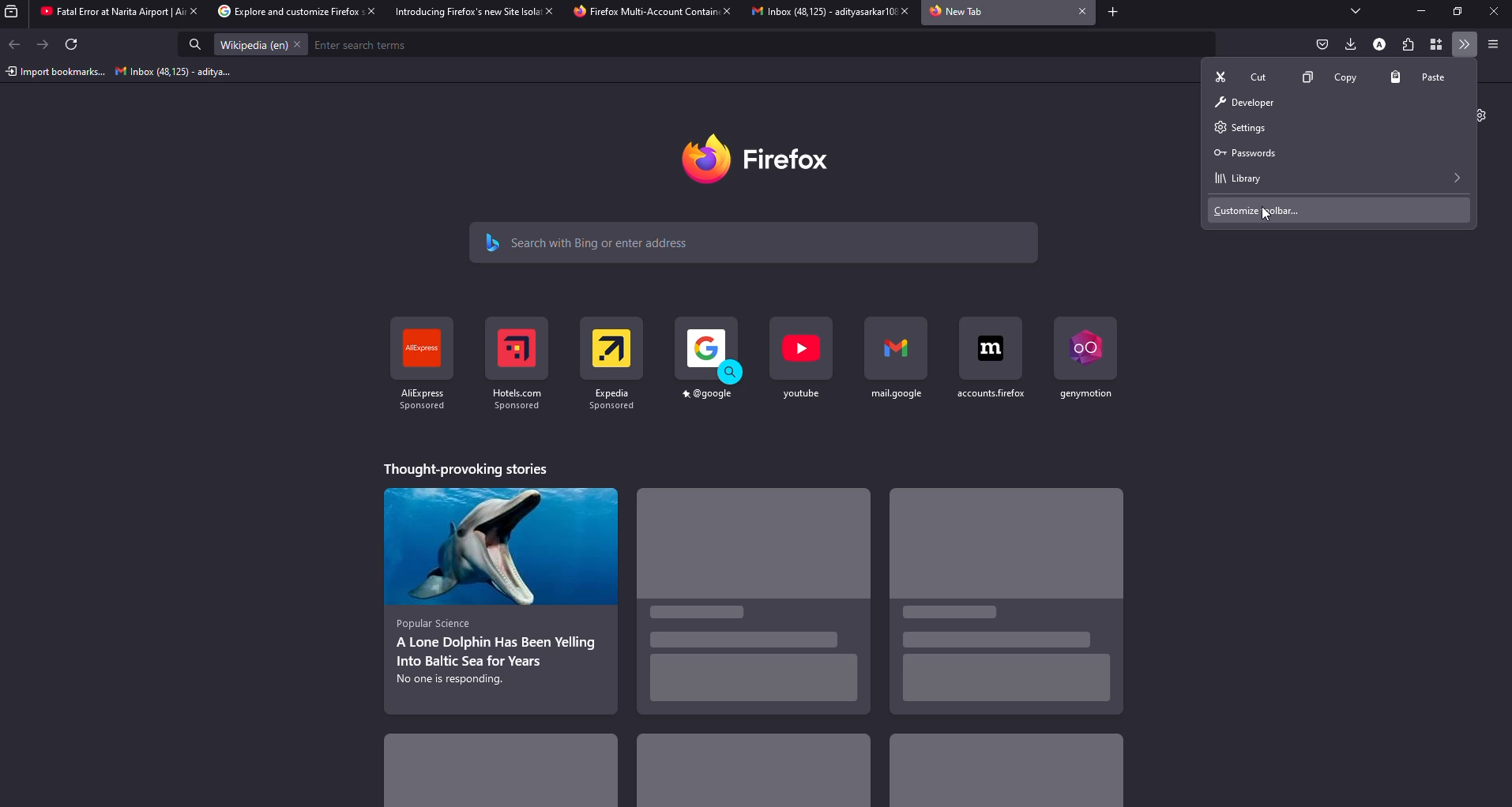  I want to click on more tools, so click(1466, 45).